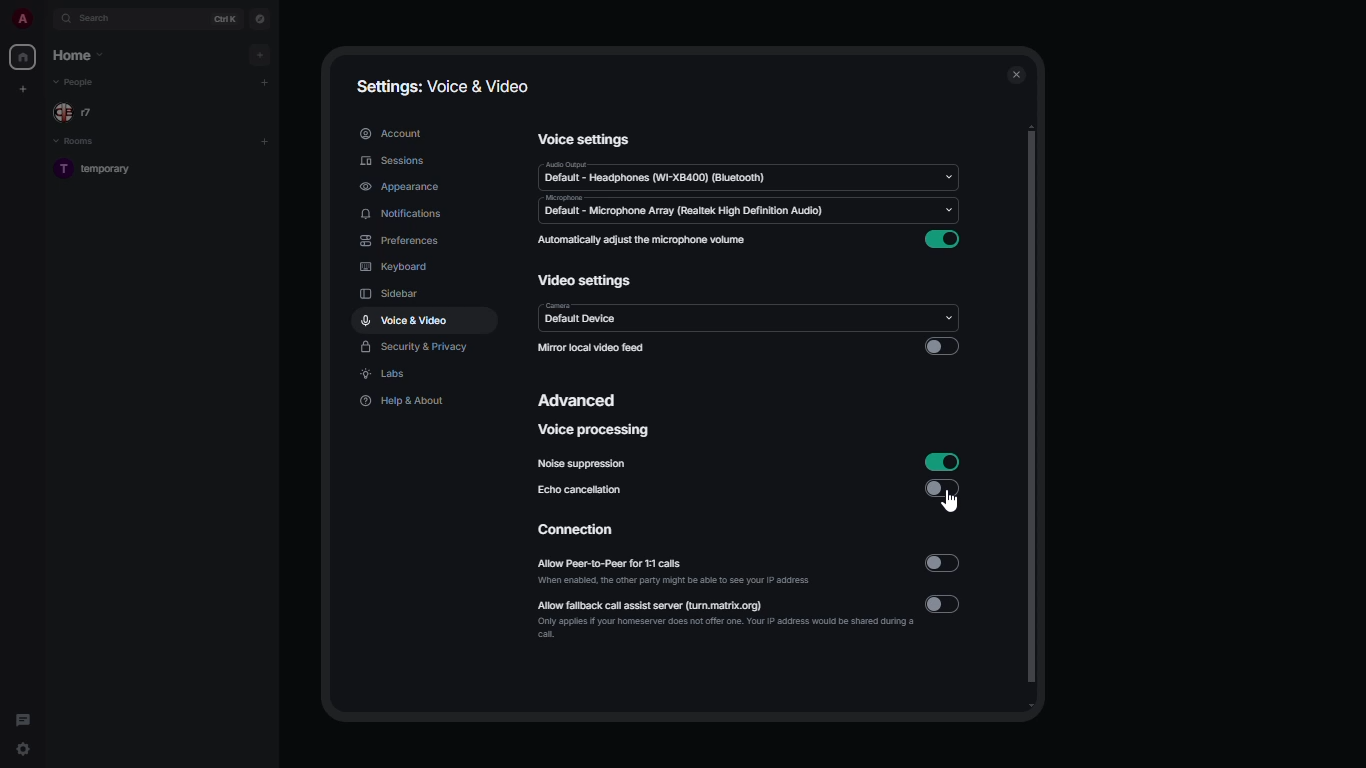 This screenshot has width=1366, height=768. Describe the element at coordinates (945, 319) in the screenshot. I see `drop down` at that location.